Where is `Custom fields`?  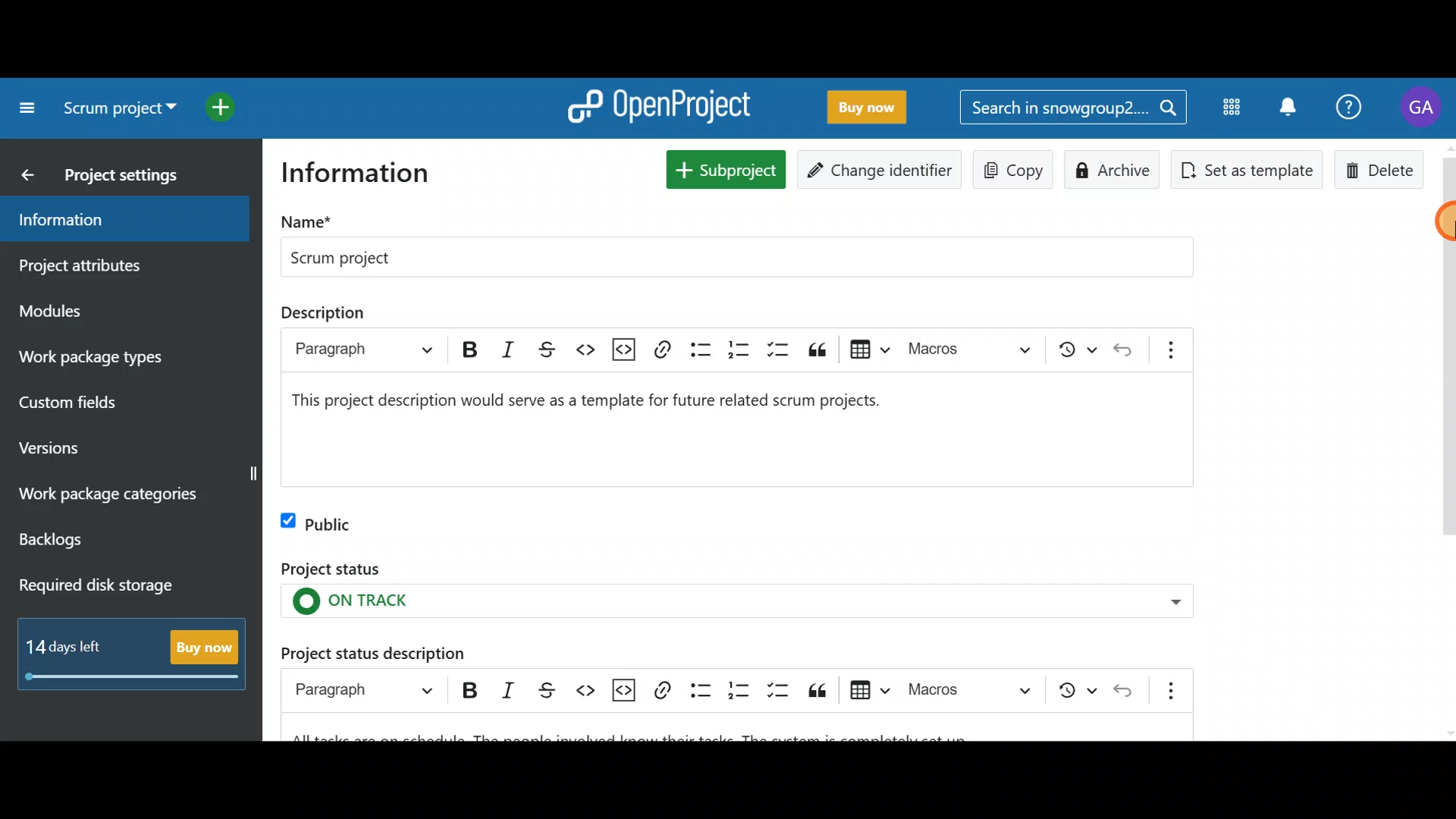 Custom fields is located at coordinates (115, 400).